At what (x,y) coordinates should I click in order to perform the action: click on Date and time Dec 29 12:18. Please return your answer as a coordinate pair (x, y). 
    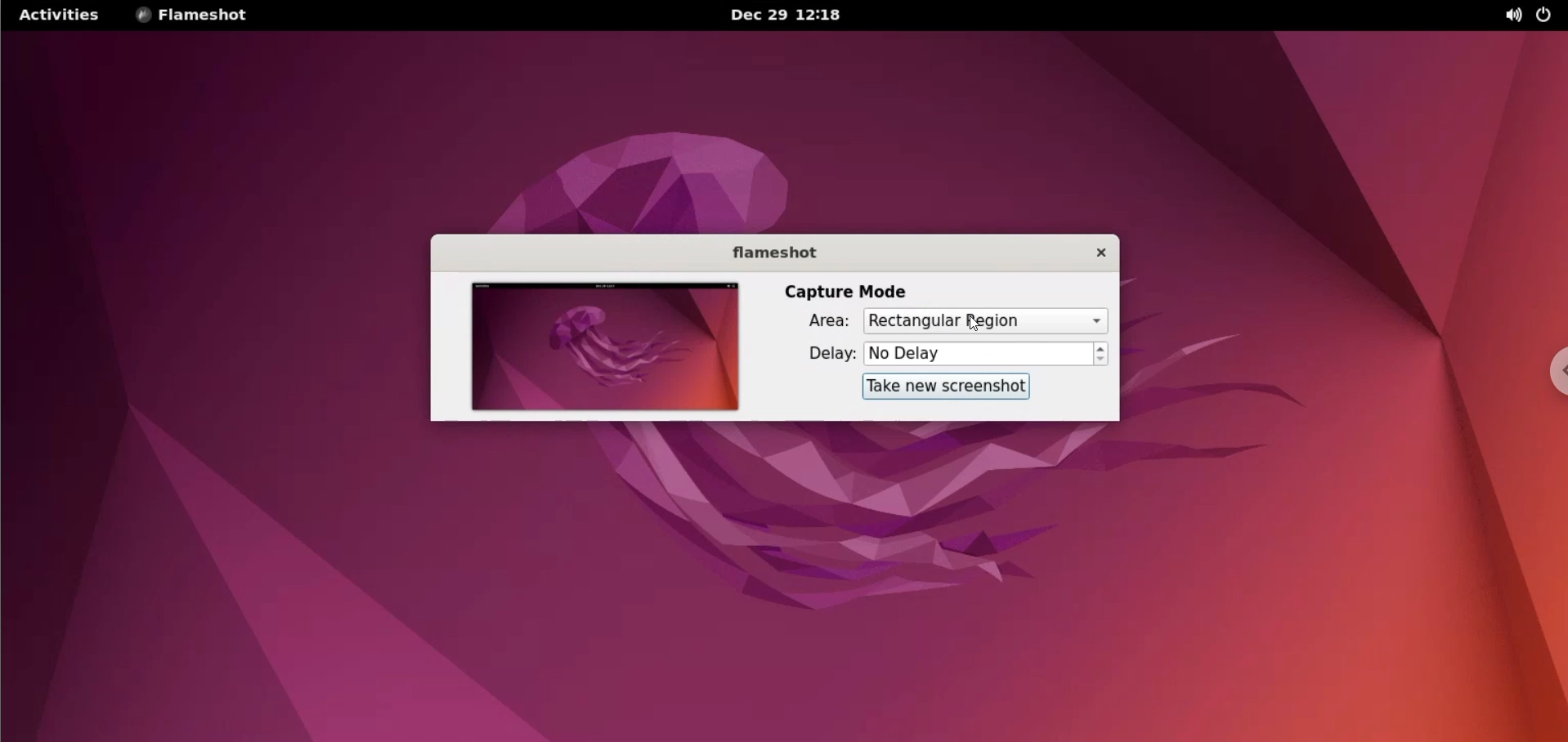
    Looking at the image, I should click on (788, 16).